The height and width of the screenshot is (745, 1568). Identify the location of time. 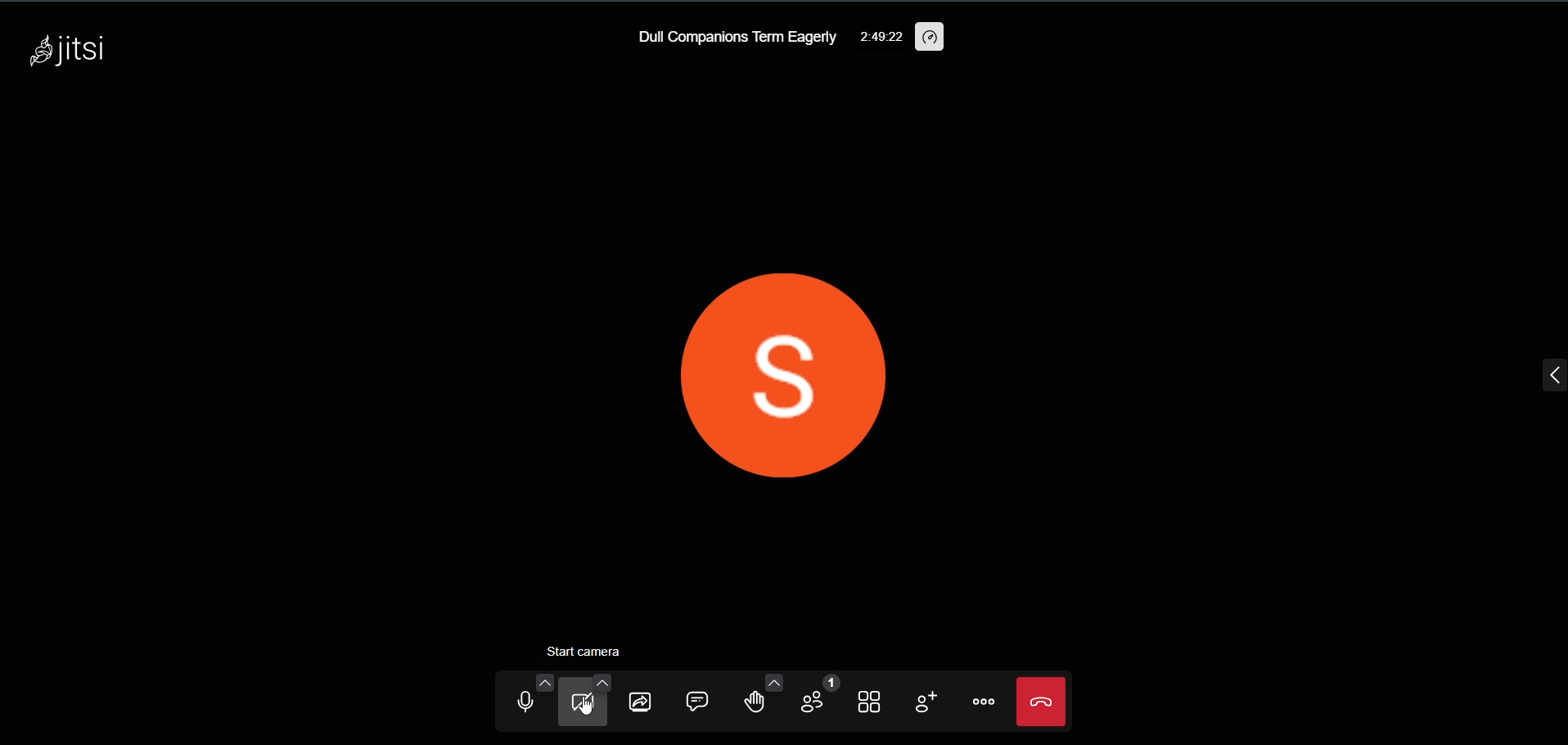
(881, 39).